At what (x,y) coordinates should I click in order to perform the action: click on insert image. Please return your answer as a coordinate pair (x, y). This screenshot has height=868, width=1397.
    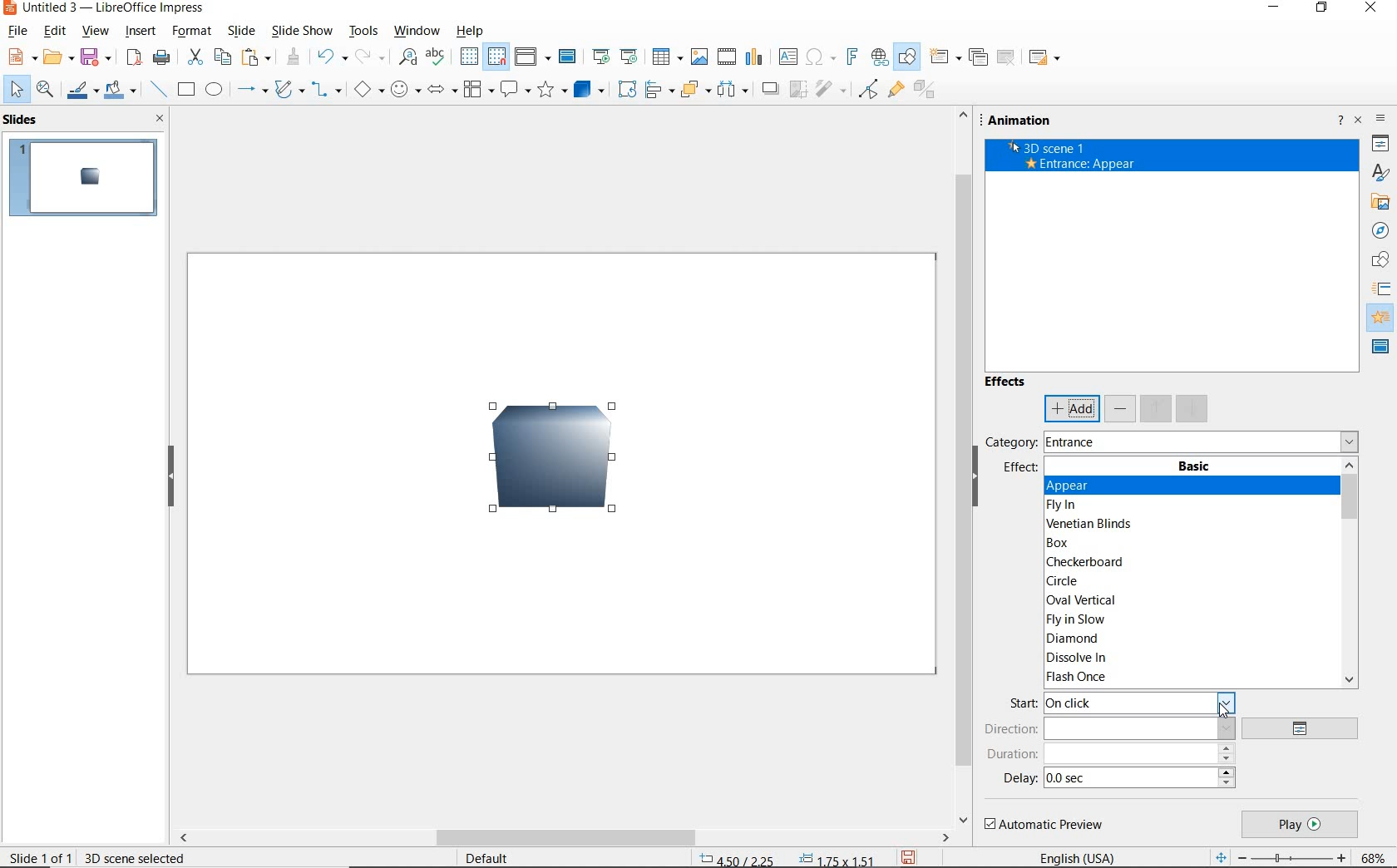
    Looking at the image, I should click on (702, 57).